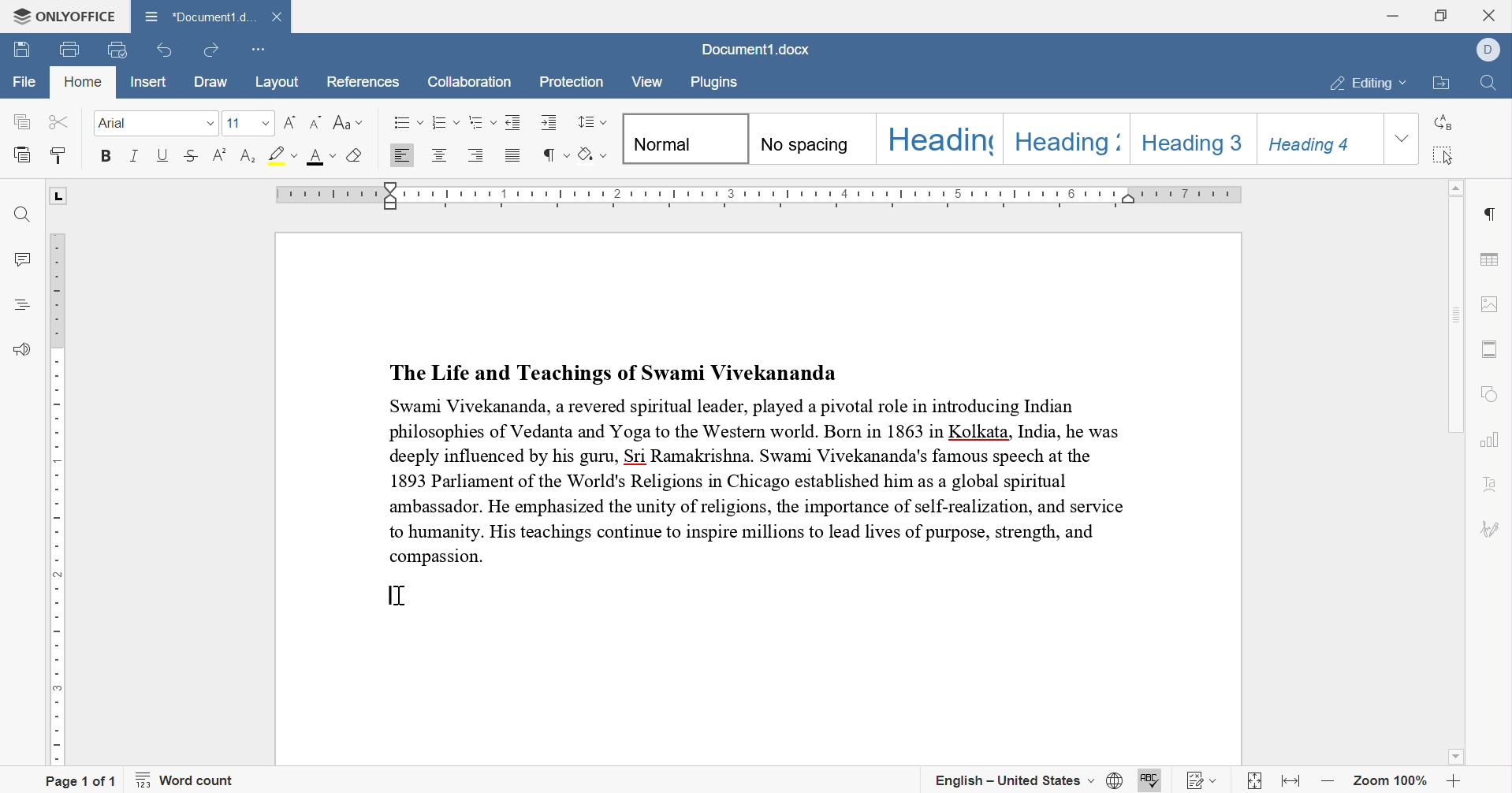 The height and width of the screenshot is (793, 1512). Describe the element at coordinates (1493, 214) in the screenshot. I see `paragraph settings` at that location.